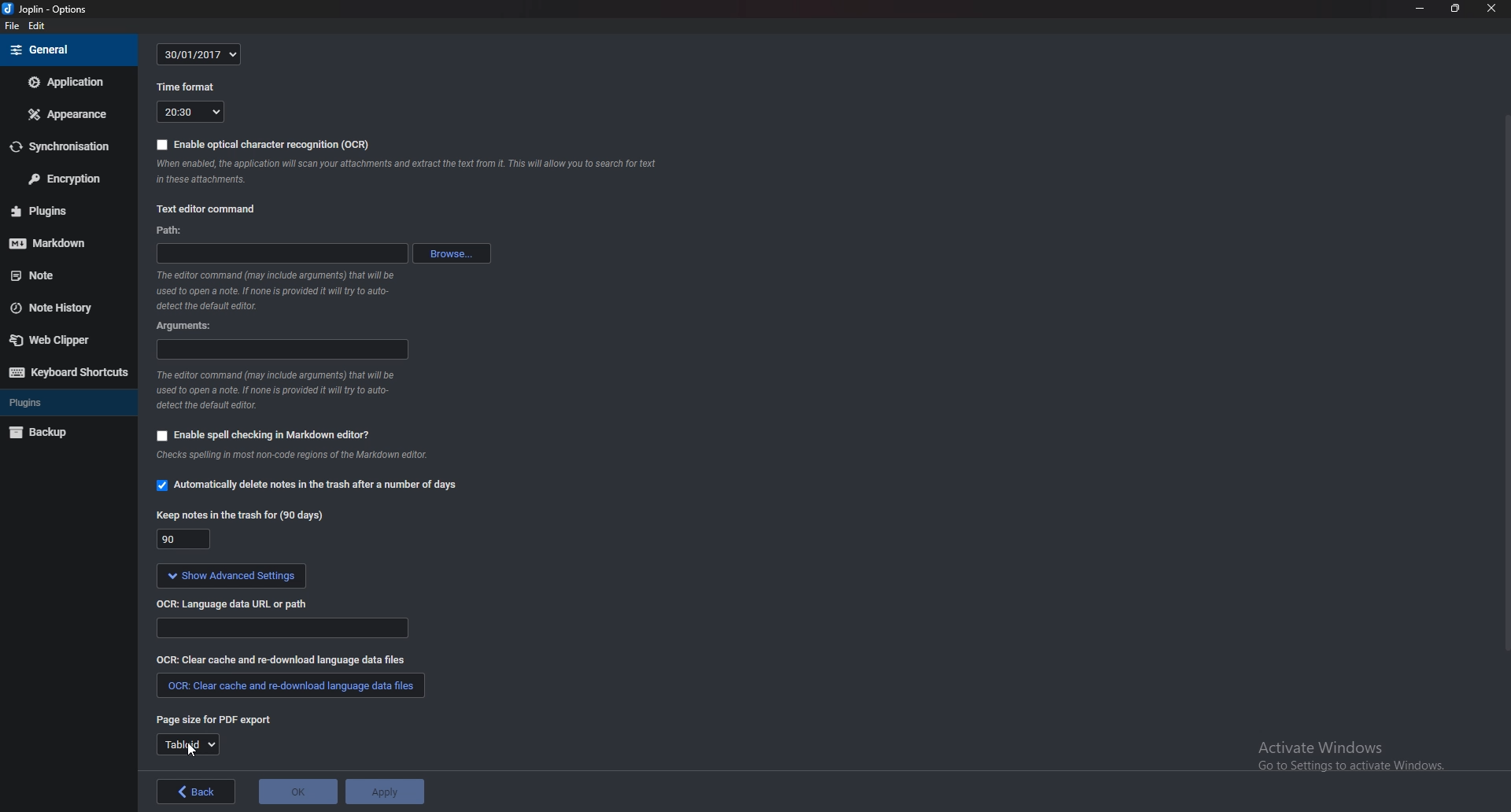 The width and height of the screenshot is (1511, 812). What do you see at coordinates (187, 88) in the screenshot?
I see `time format` at bounding box center [187, 88].